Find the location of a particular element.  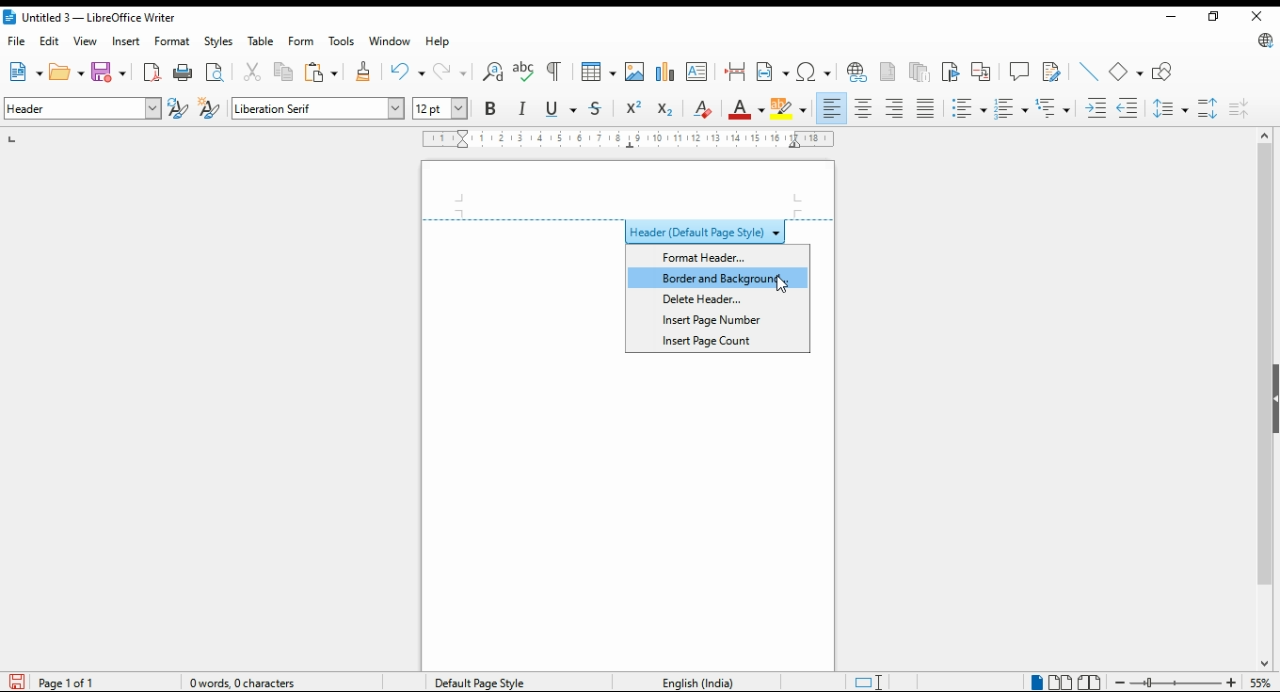

page information is located at coordinates (62, 682).